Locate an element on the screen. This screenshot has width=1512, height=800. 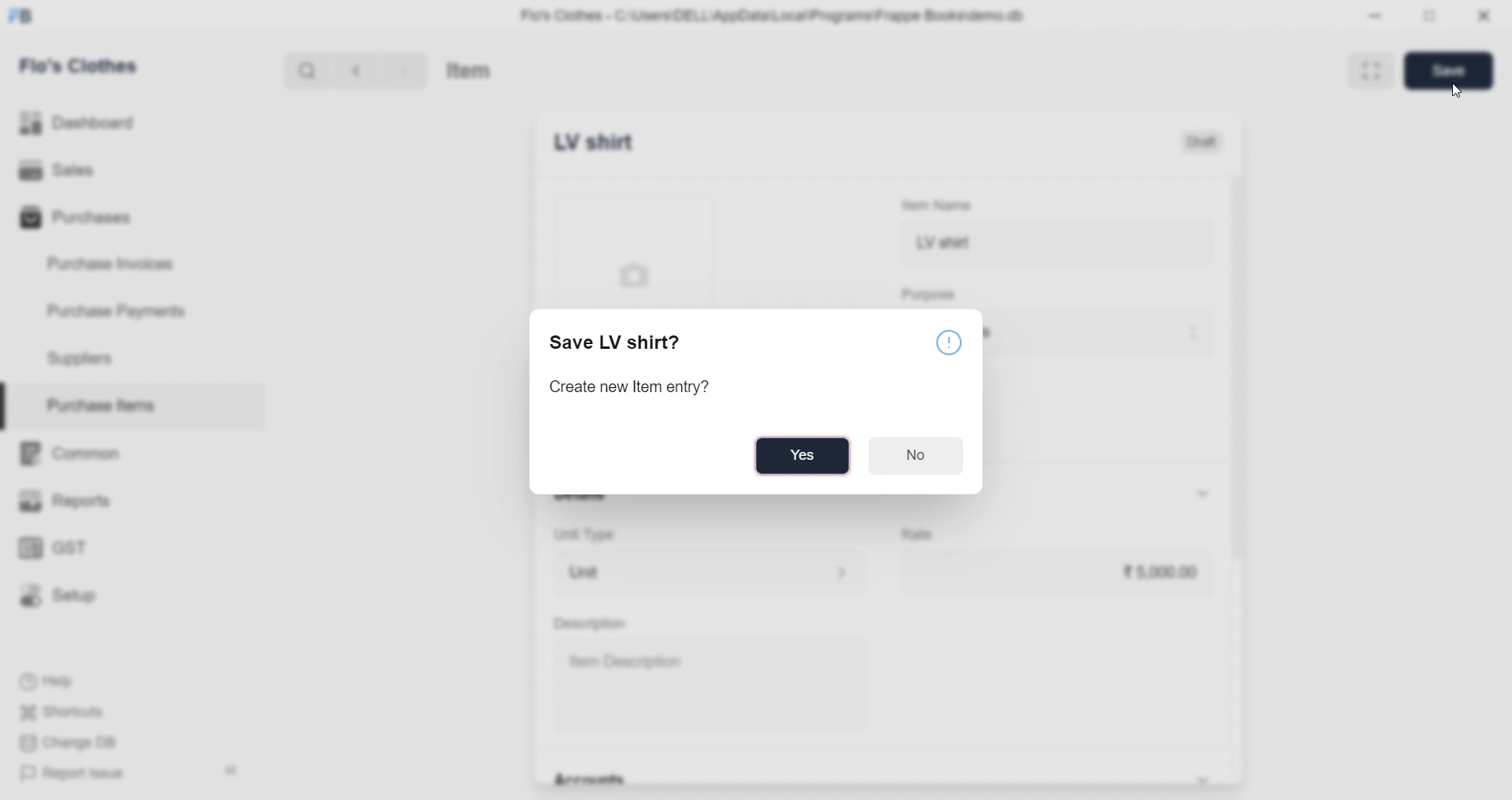
Save LV shirt? is located at coordinates (620, 343).